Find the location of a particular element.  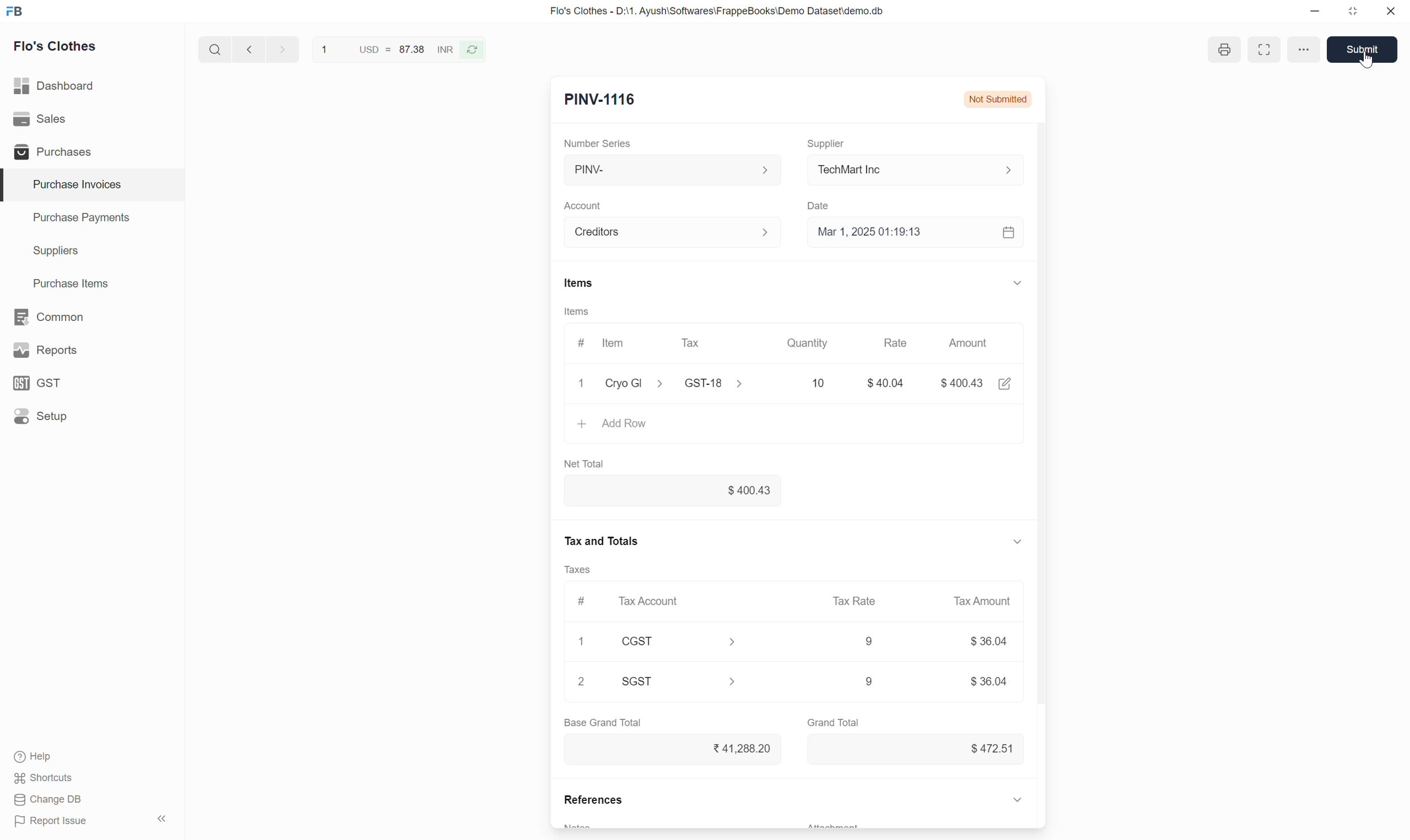

not submitted is located at coordinates (998, 97).